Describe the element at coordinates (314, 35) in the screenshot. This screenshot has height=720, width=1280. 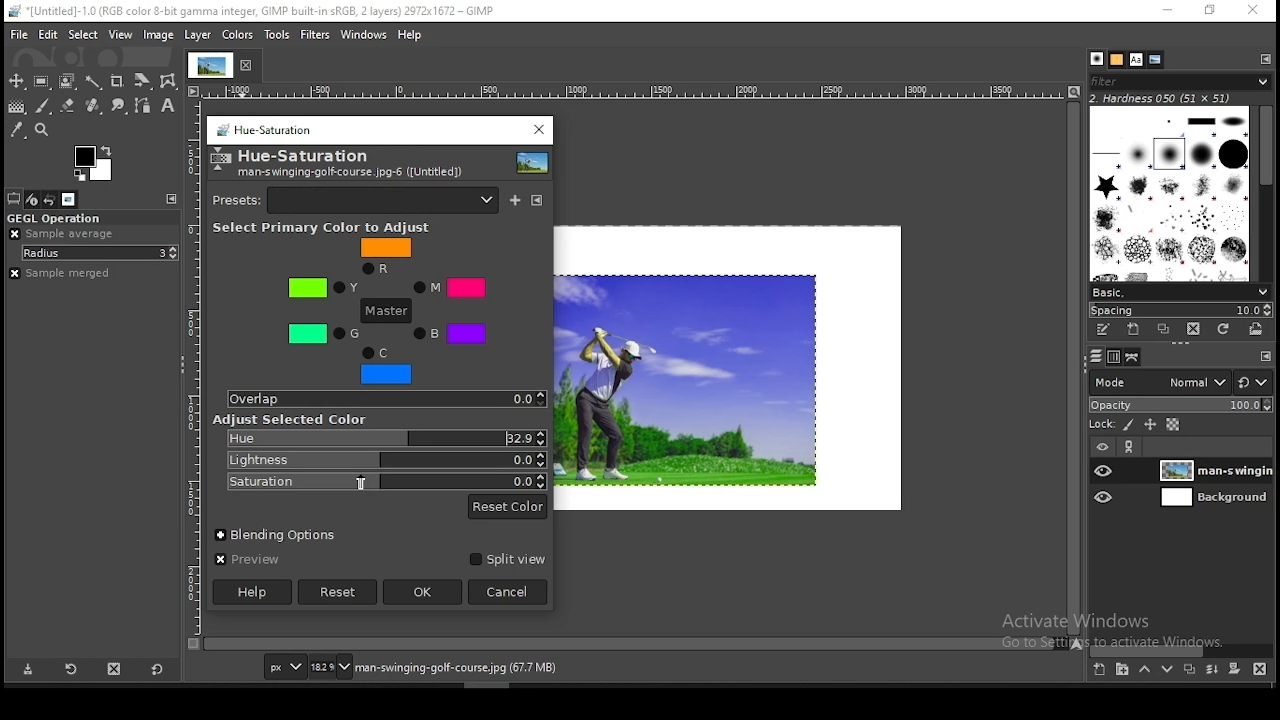
I see `filters` at that location.